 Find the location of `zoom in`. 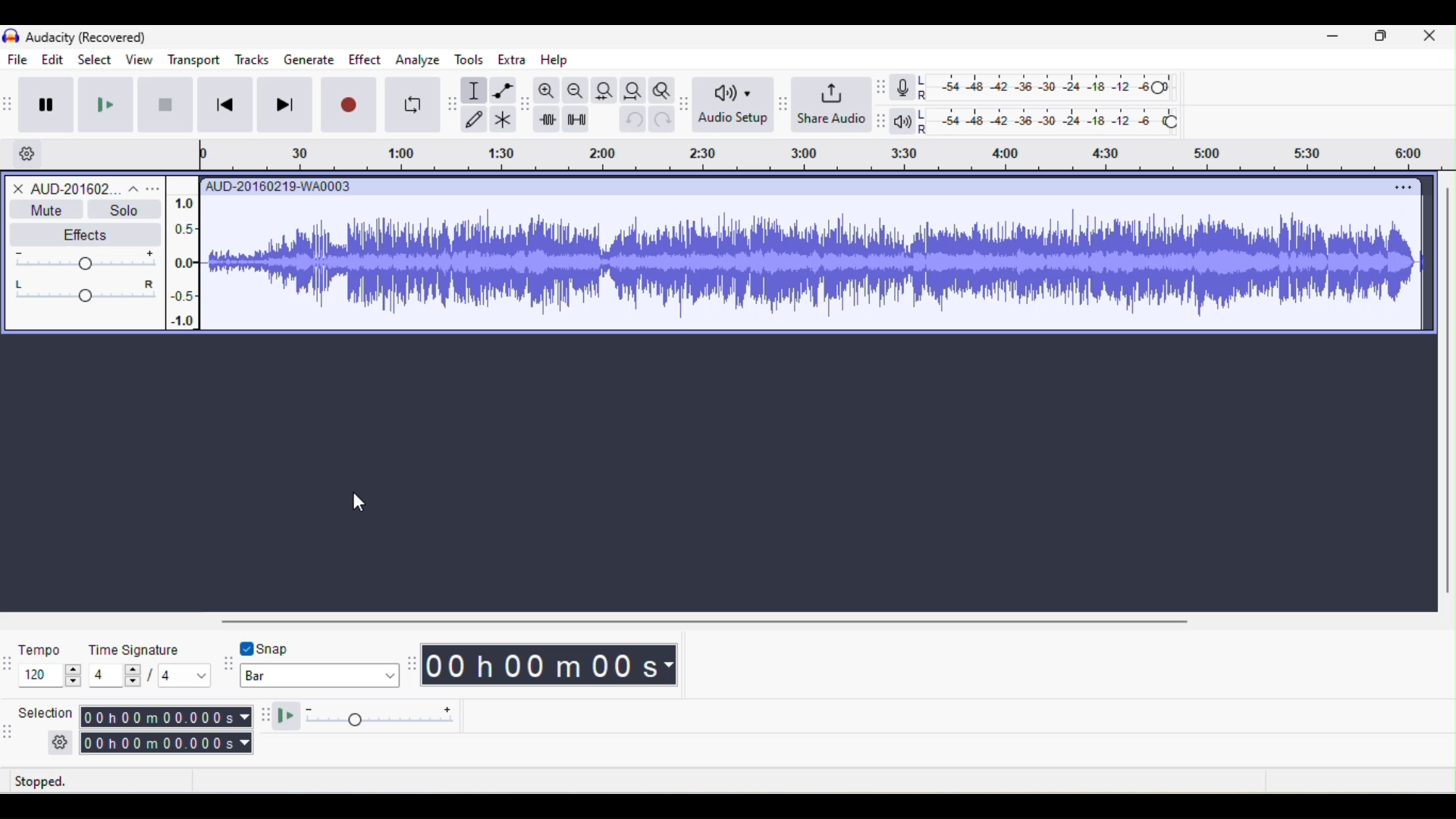

zoom in is located at coordinates (547, 91).